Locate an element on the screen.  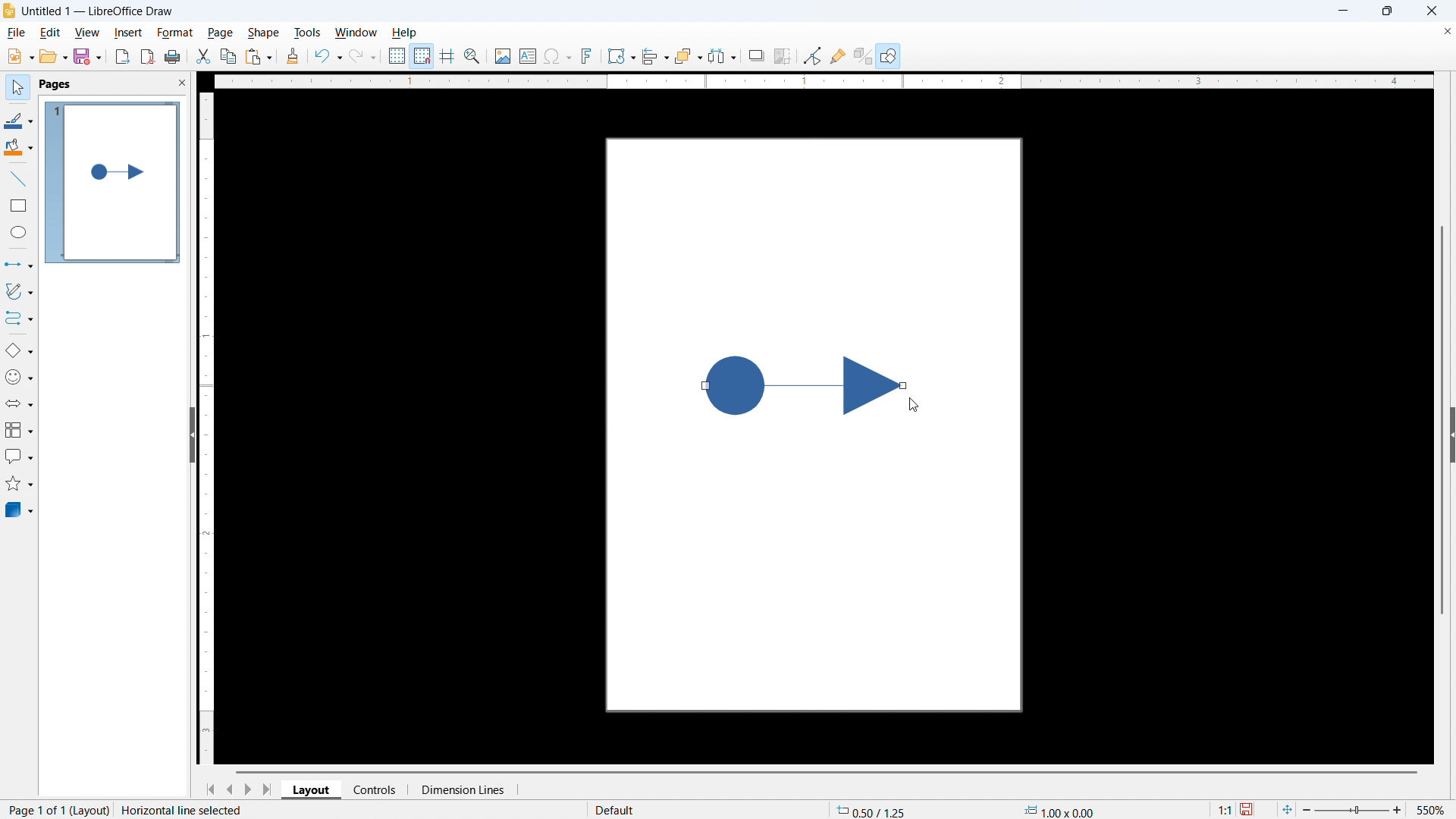
Window  is located at coordinates (355, 33).